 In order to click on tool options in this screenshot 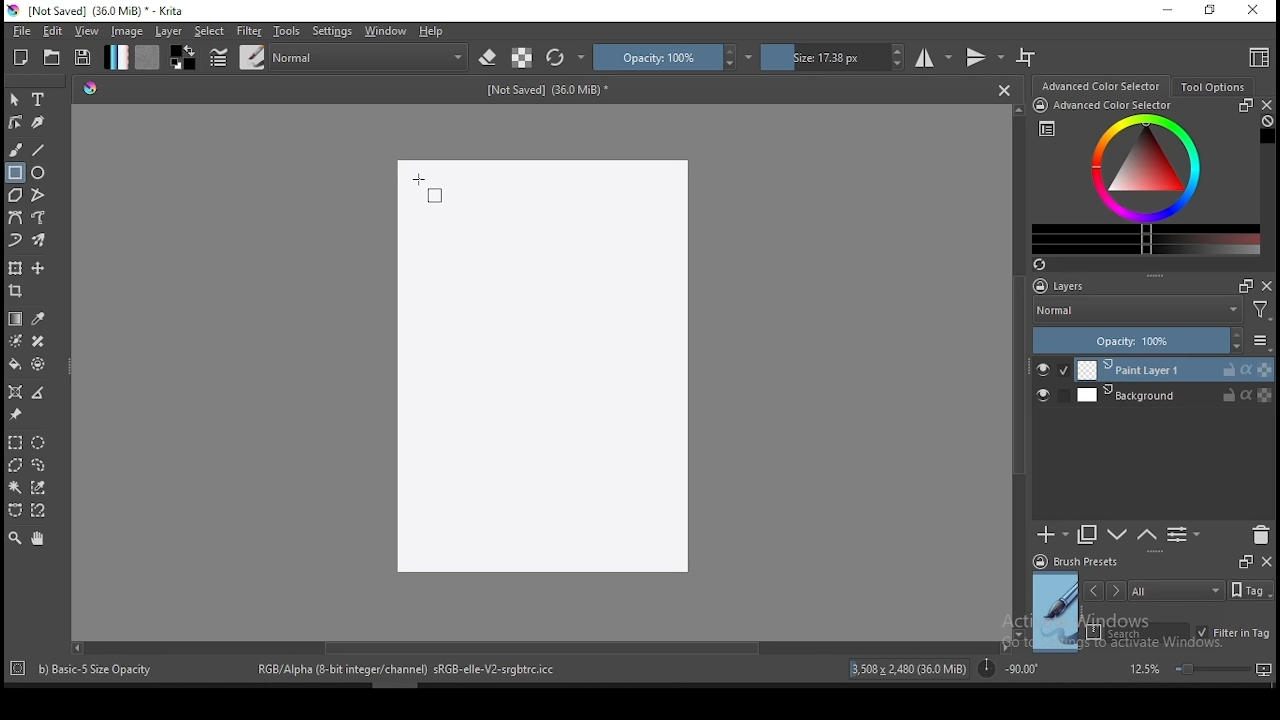, I will do `click(1214, 87)`.